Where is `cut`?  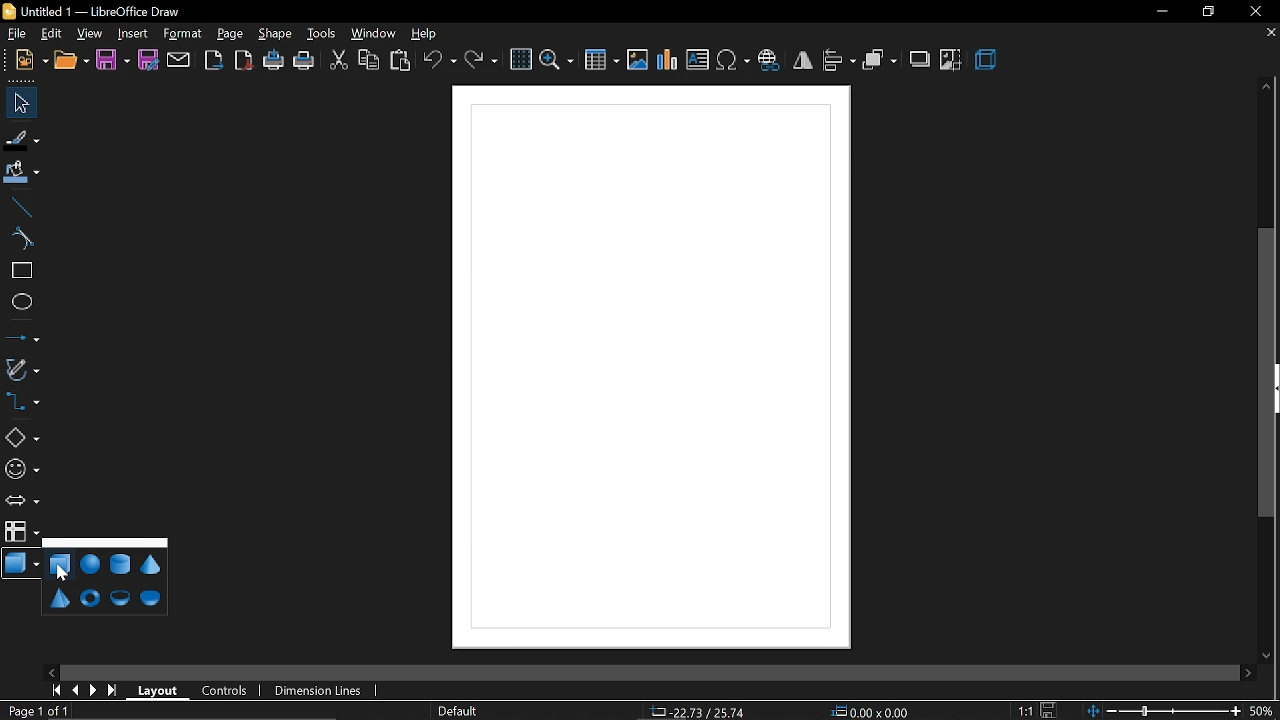
cut is located at coordinates (339, 63).